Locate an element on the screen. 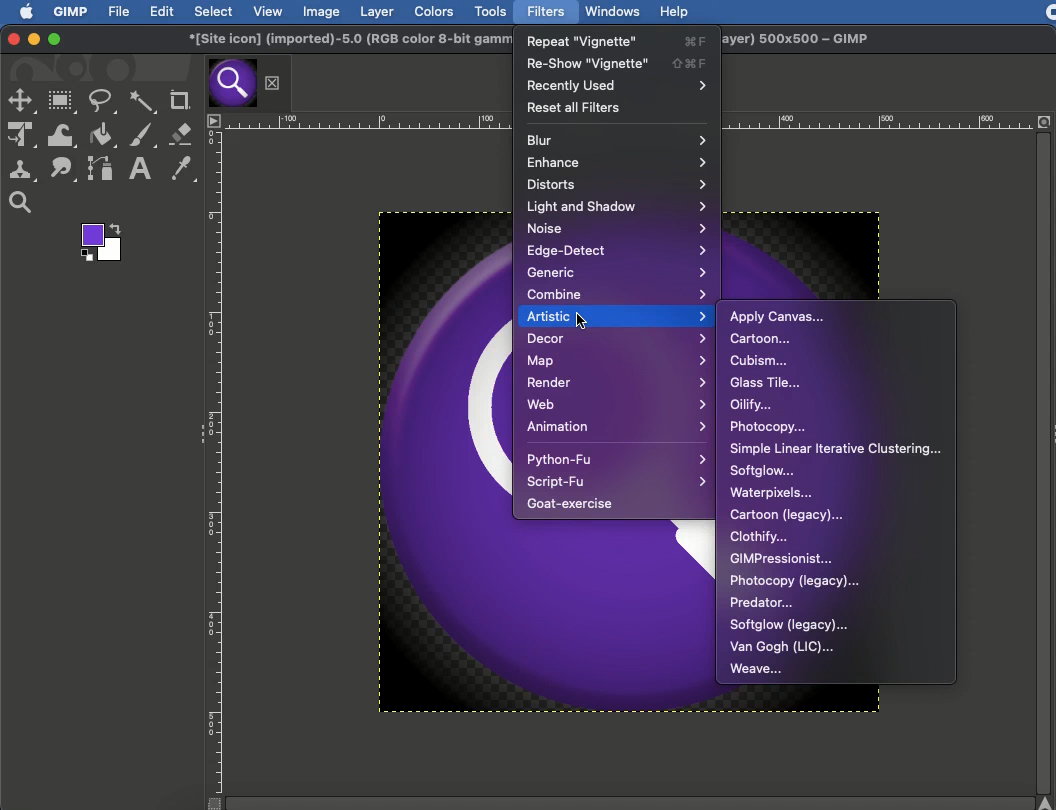 Image resolution: width=1056 pixels, height=810 pixels. Tools is located at coordinates (491, 12).